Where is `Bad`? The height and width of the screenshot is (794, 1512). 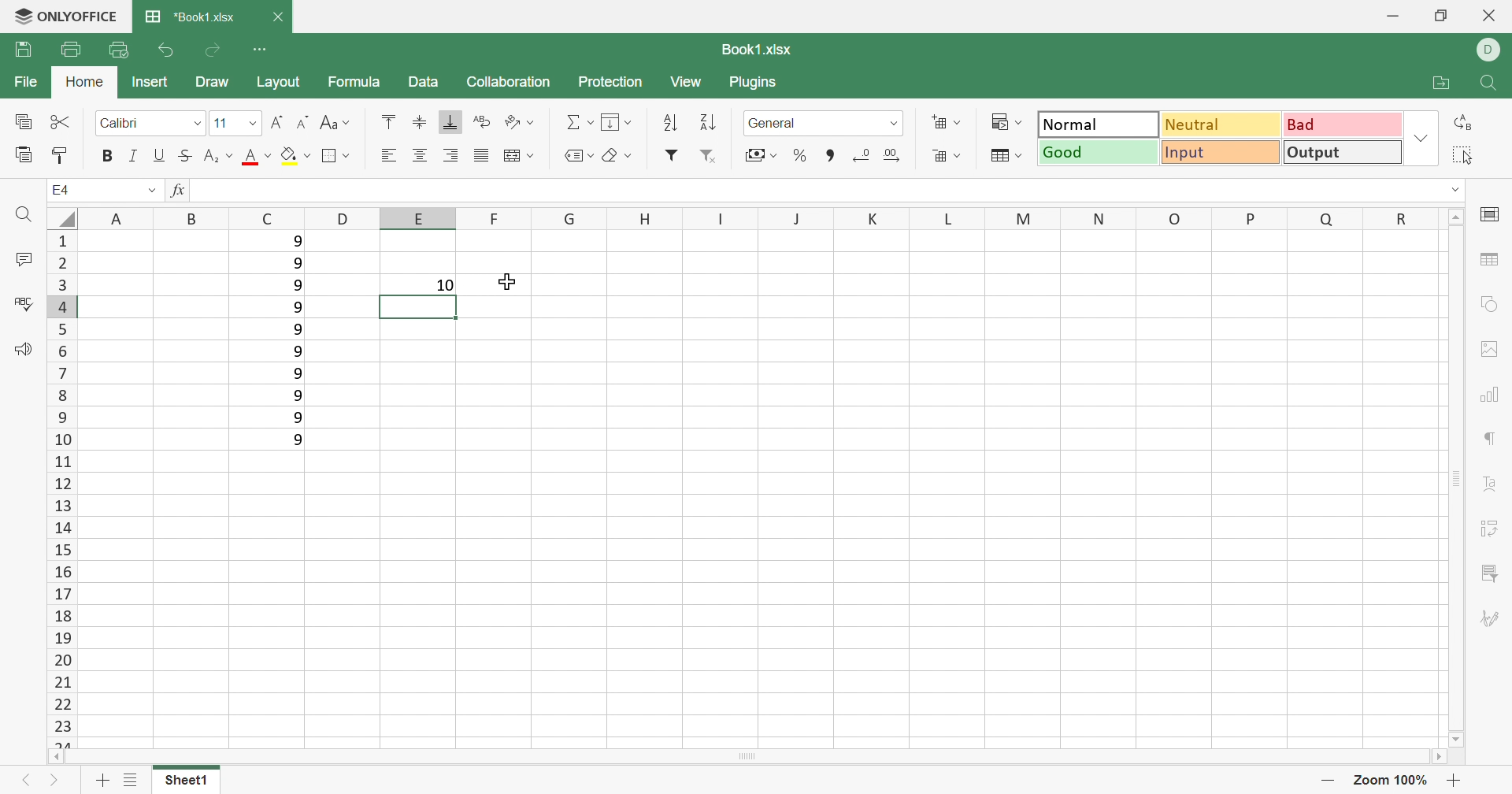 Bad is located at coordinates (1340, 125).